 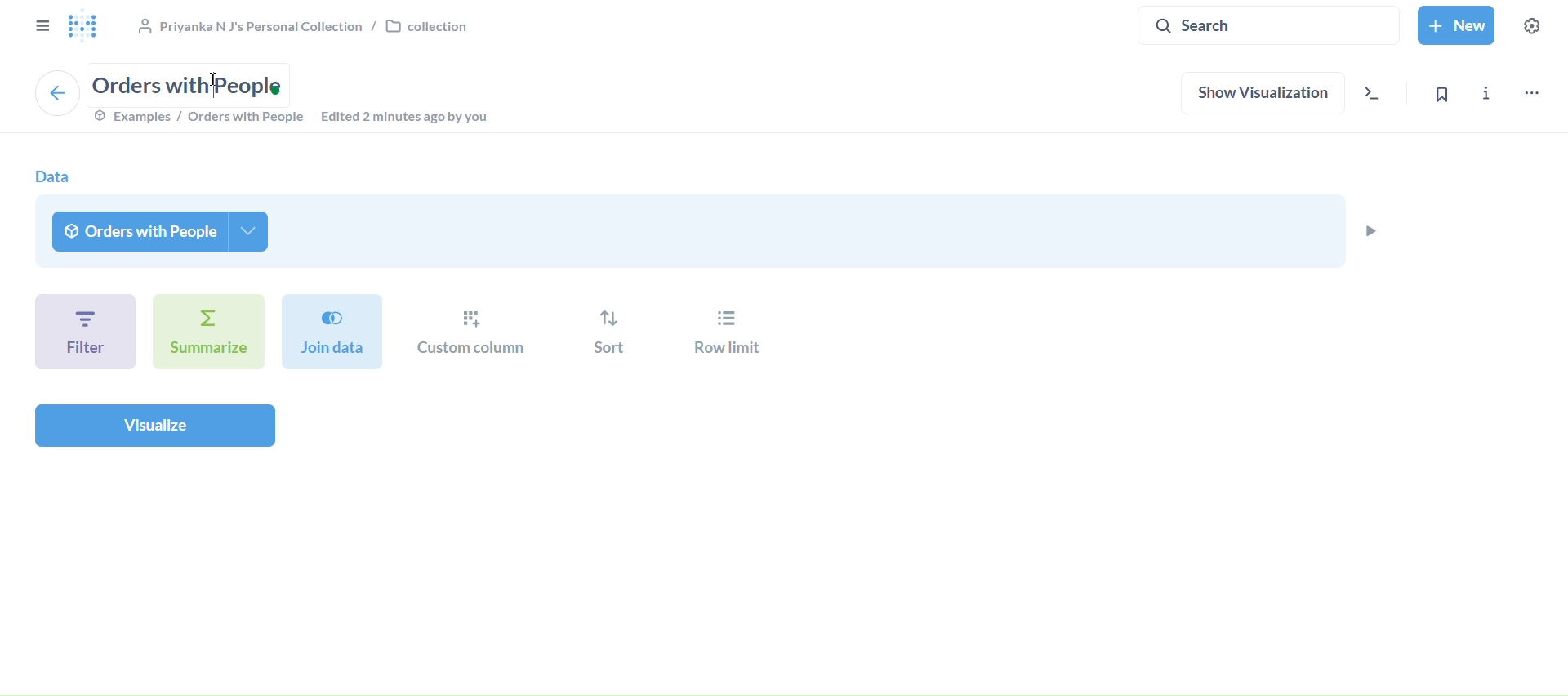 What do you see at coordinates (609, 333) in the screenshot?
I see `sort` at bounding box center [609, 333].